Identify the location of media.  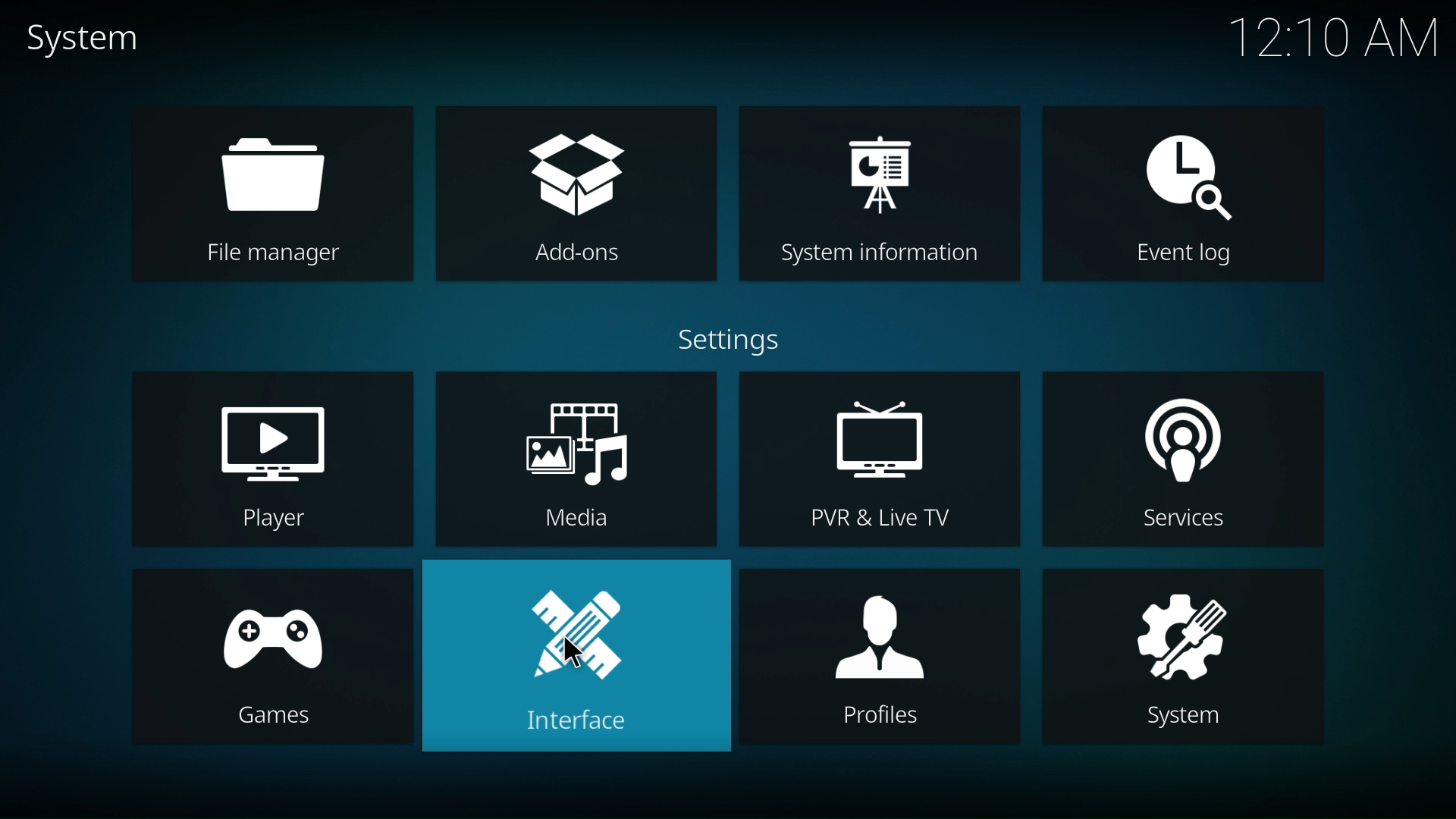
(573, 460).